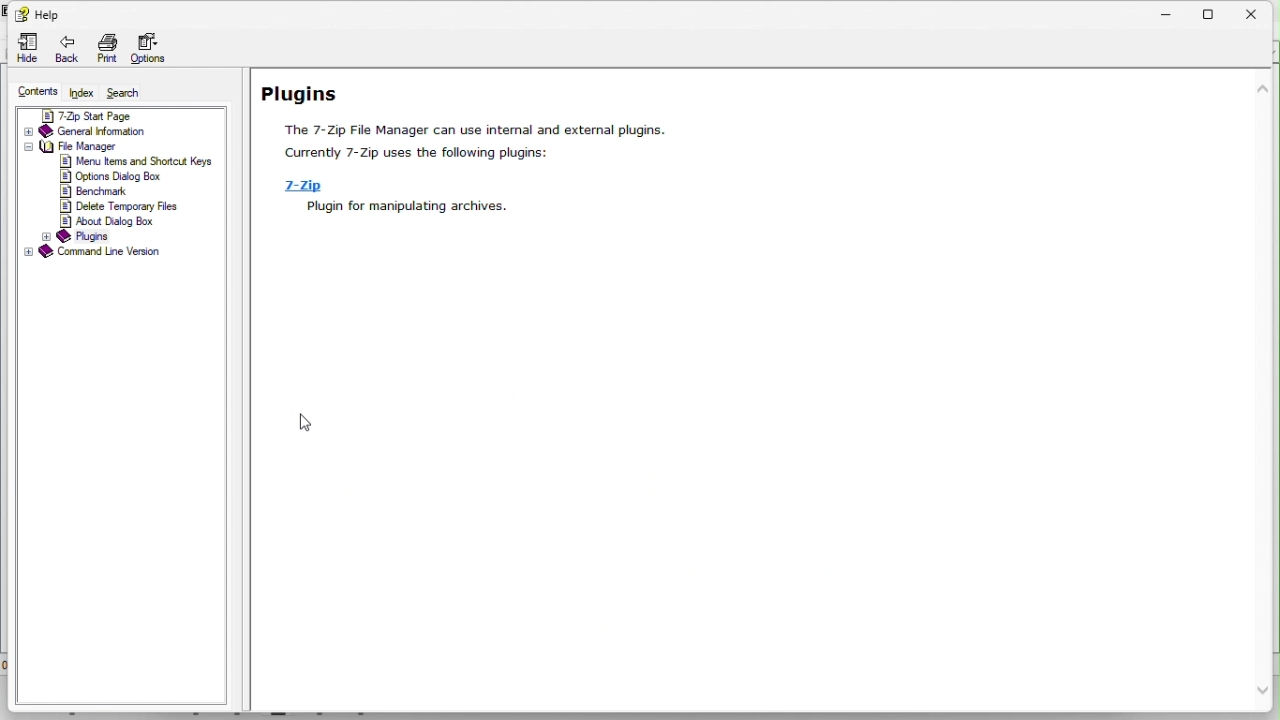  I want to click on Plugin for manipulating archives, so click(402, 207).